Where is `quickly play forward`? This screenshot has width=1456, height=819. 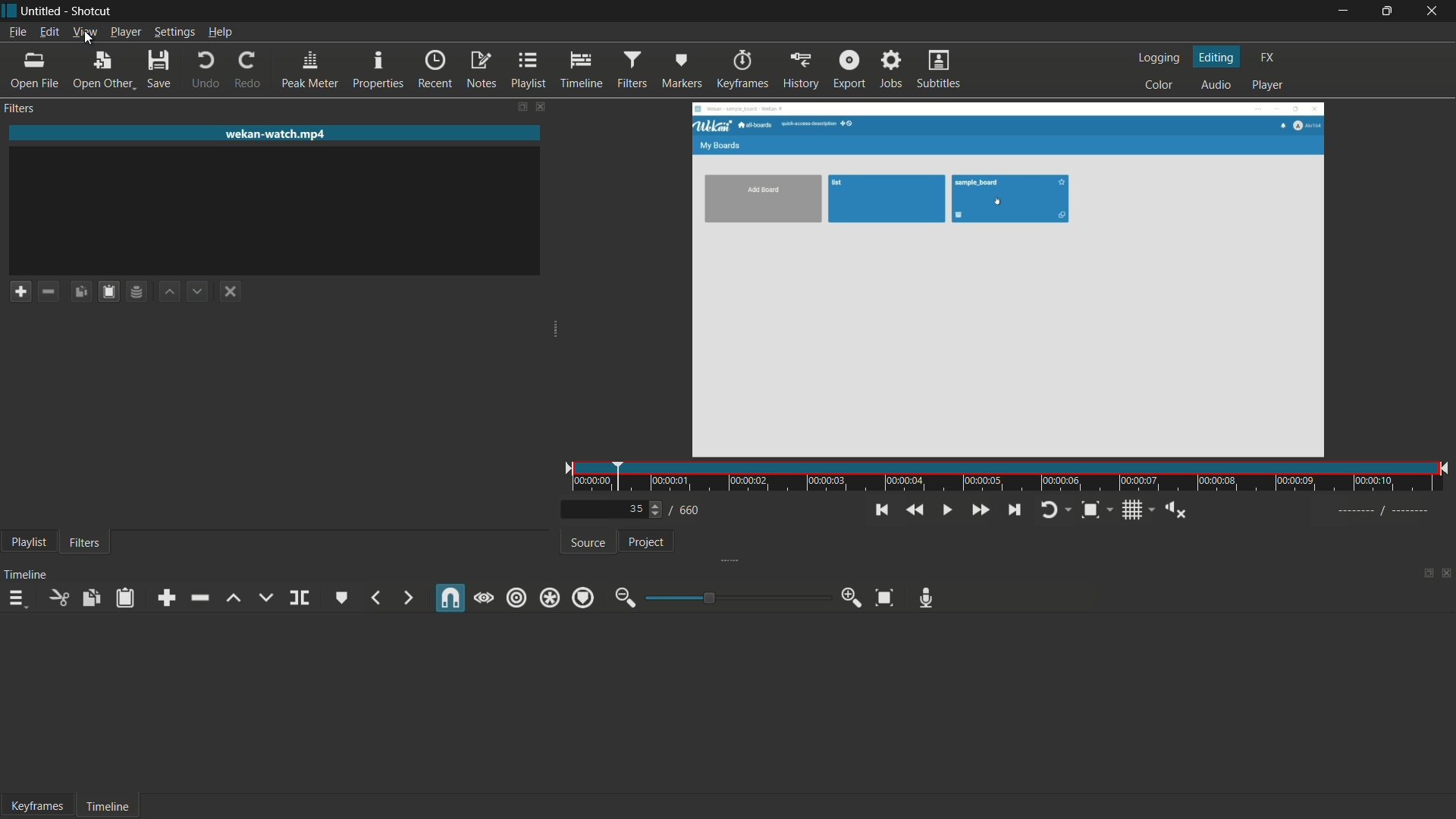
quickly play forward is located at coordinates (980, 510).